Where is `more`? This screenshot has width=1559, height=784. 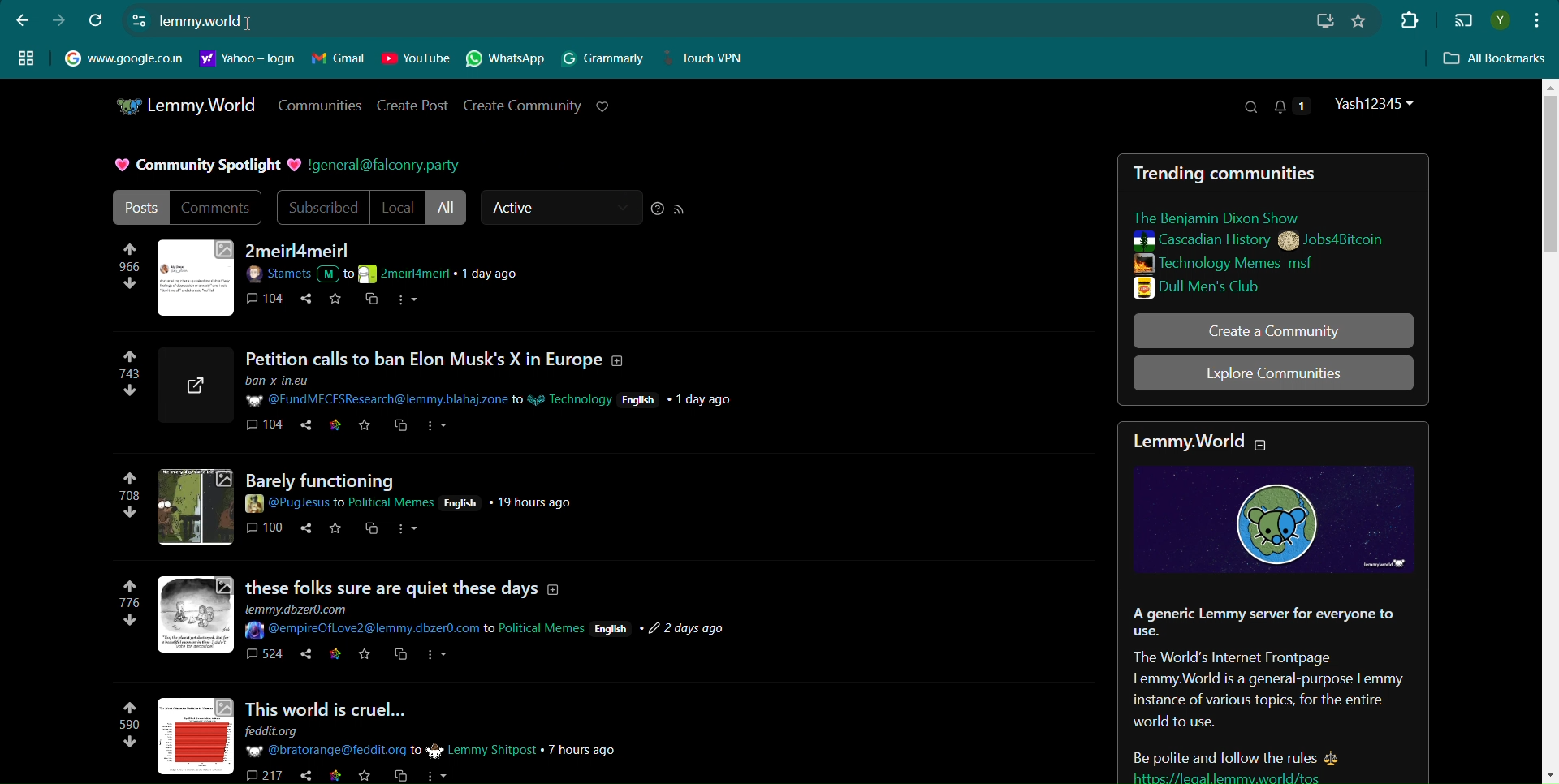 more is located at coordinates (438, 660).